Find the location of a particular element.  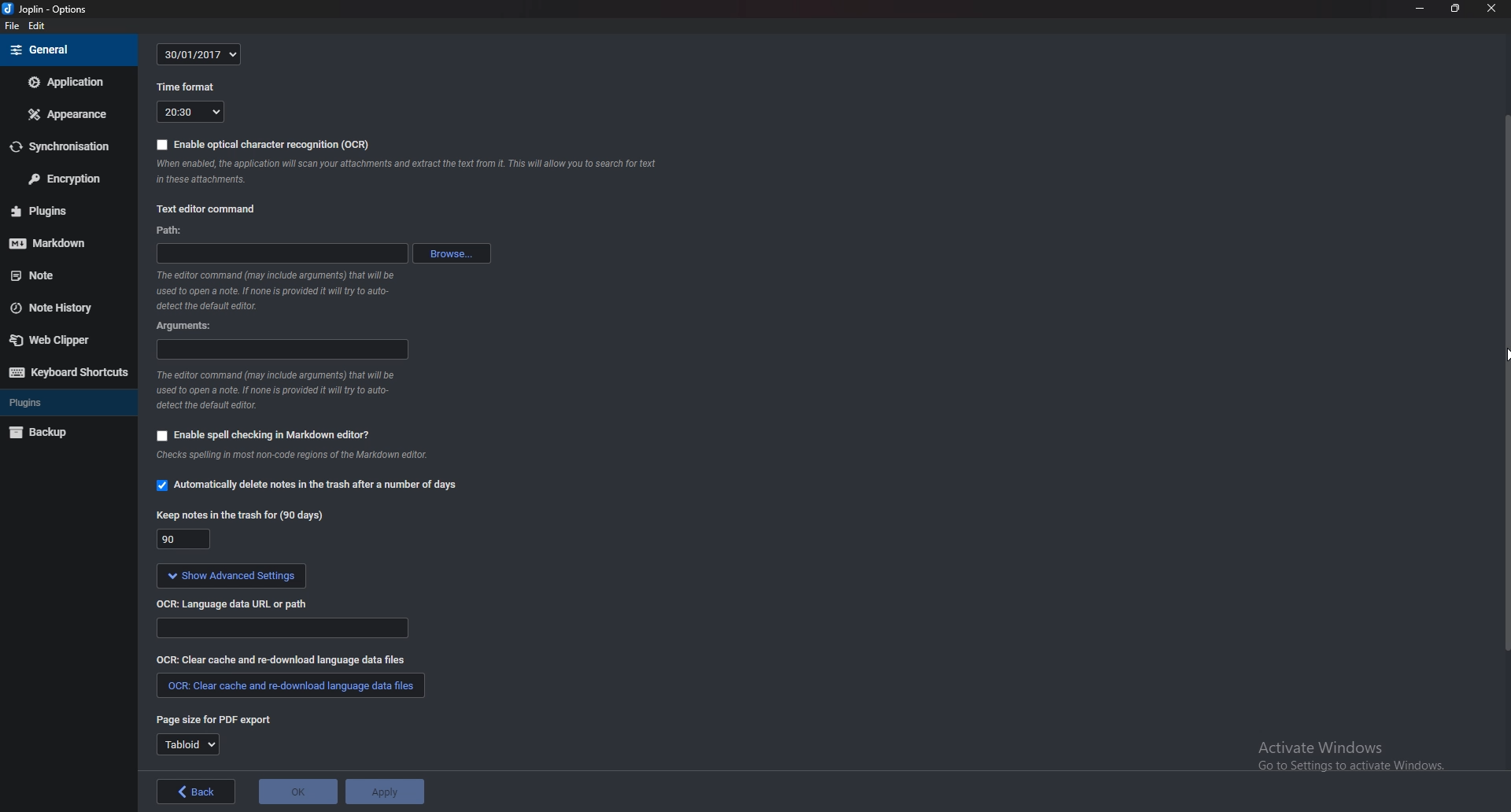

Encryption is located at coordinates (64, 179).